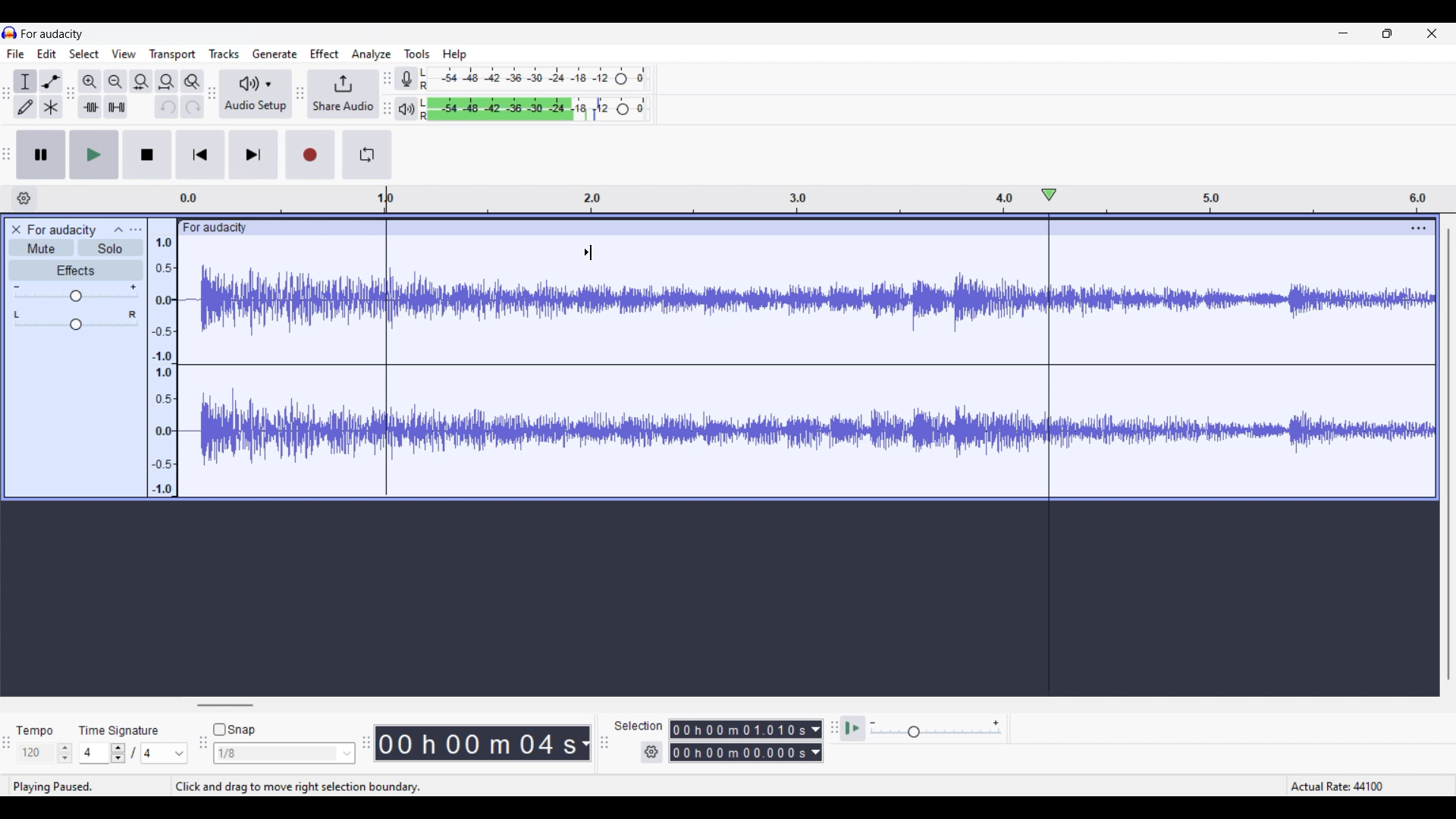  What do you see at coordinates (84, 54) in the screenshot?
I see `Select menu` at bounding box center [84, 54].